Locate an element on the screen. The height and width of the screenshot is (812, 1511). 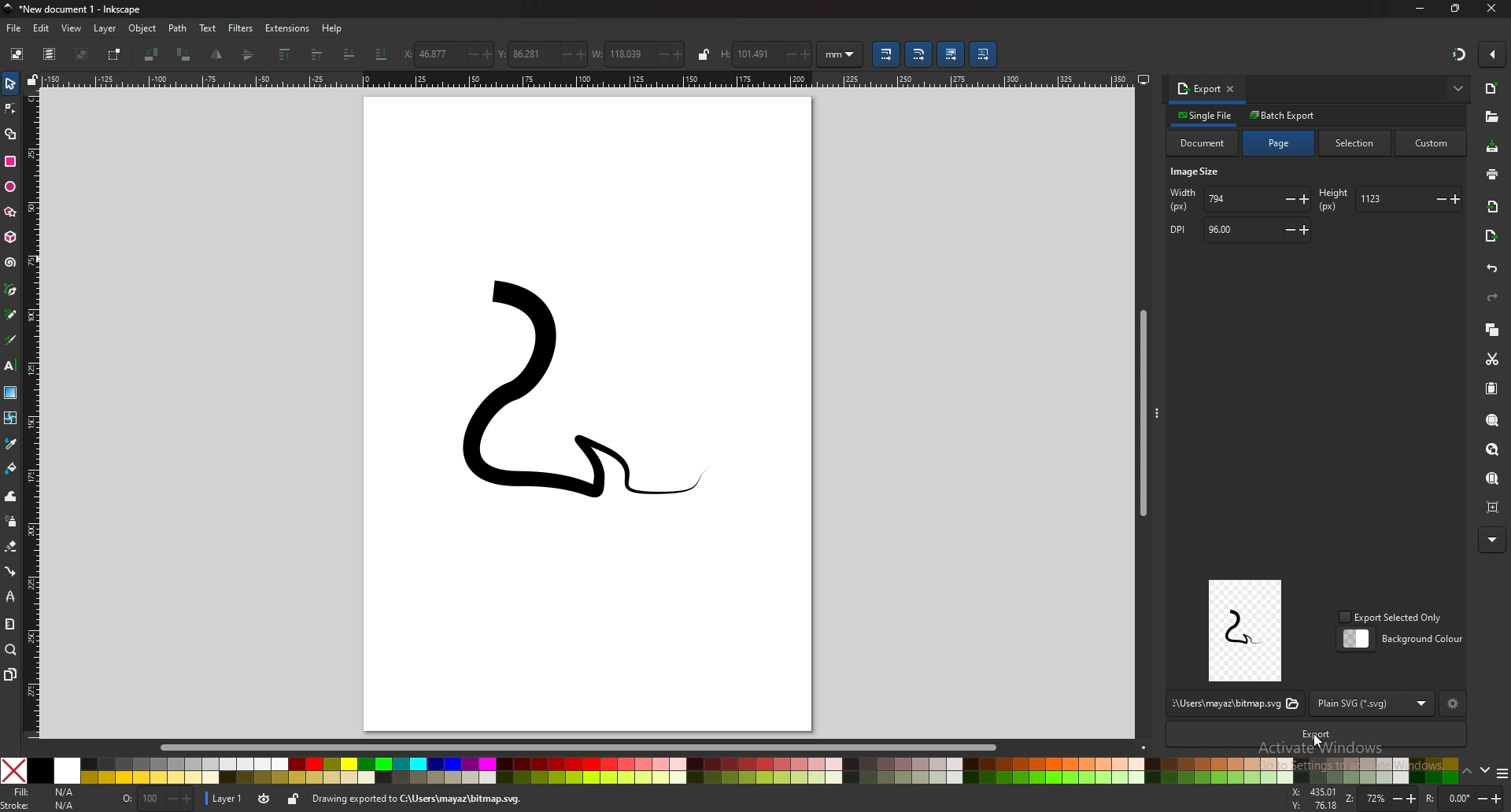
title is located at coordinates (78, 9).